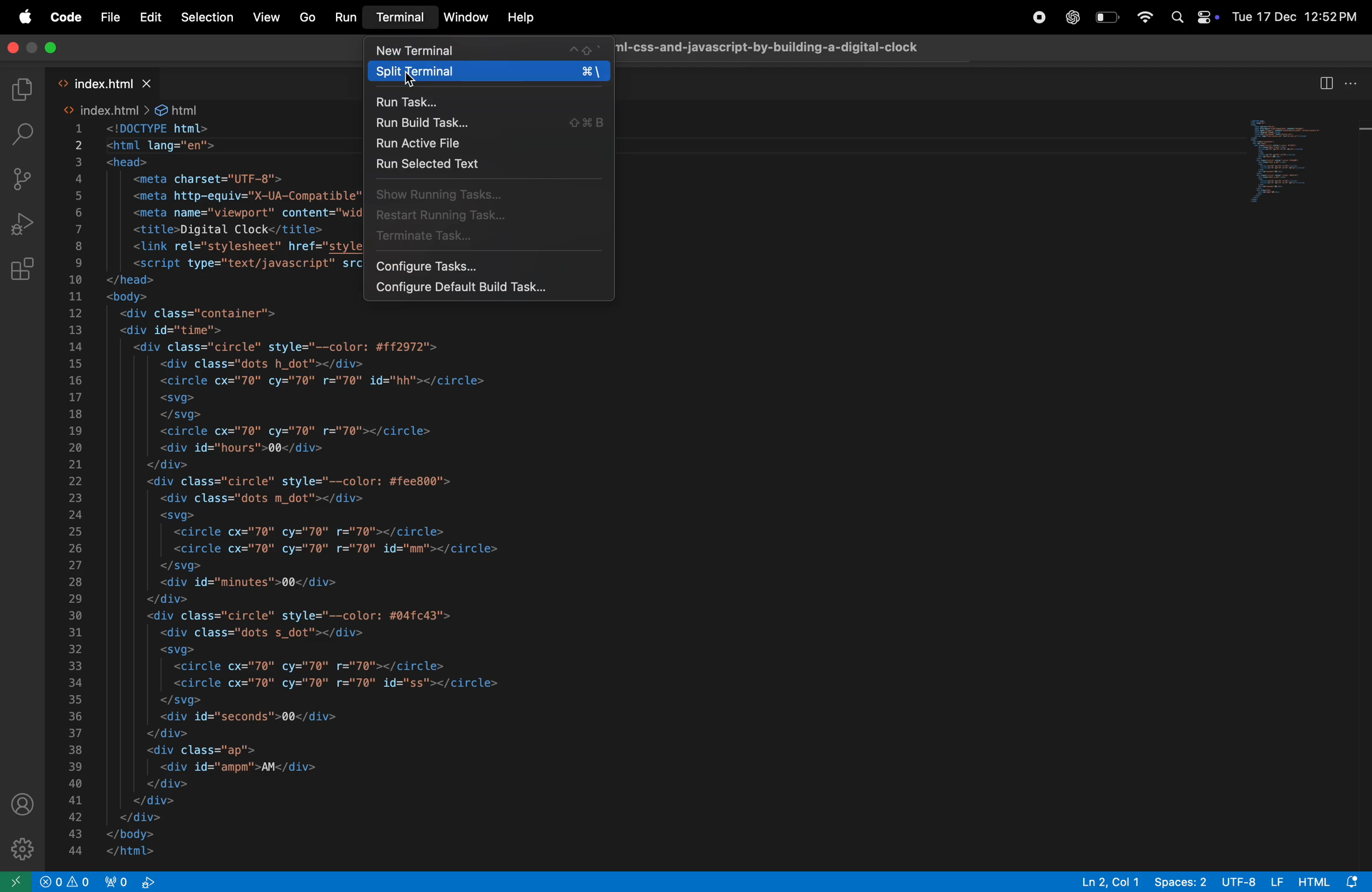 The height and width of the screenshot is (892, 1372). What do you see at coordinates (109, 18) in the screenshot?
I see `File` at bounding box center [109, 18].